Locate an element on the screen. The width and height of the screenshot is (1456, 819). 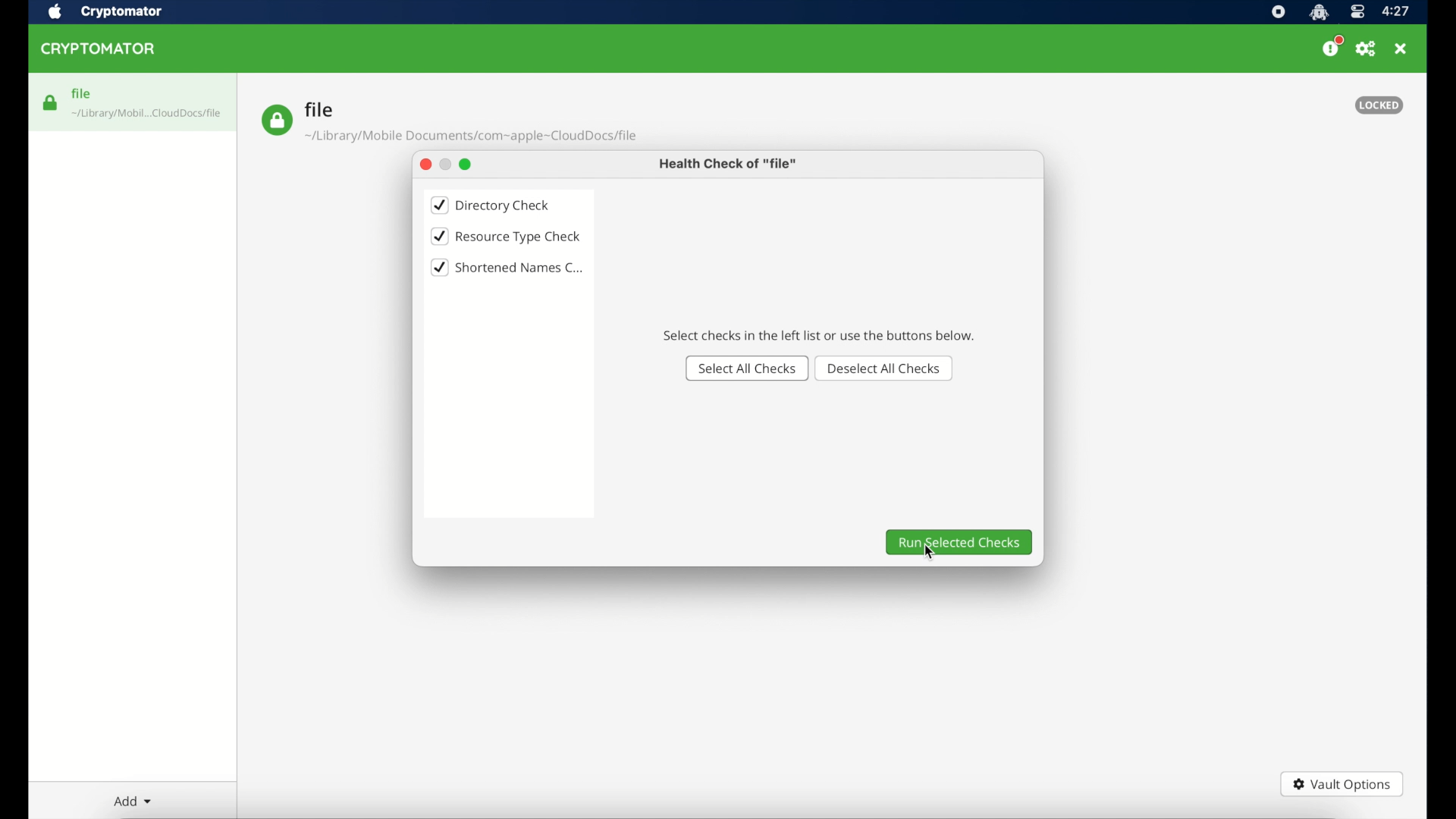
apple icon is located at coordinates (55, 12).